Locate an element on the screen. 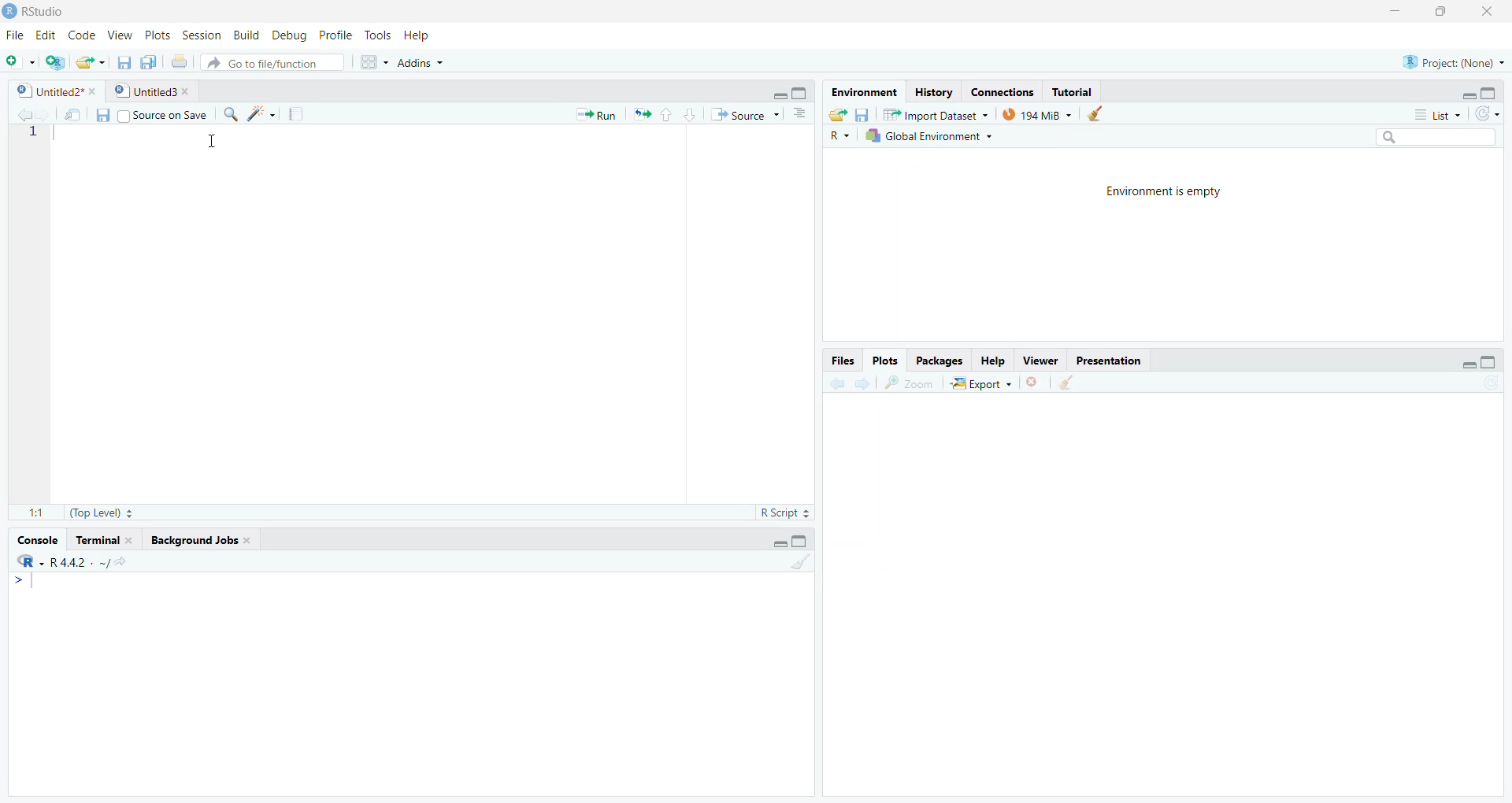 This screenshot has height=803, width=1512. R is located at coordinates (26, 563).